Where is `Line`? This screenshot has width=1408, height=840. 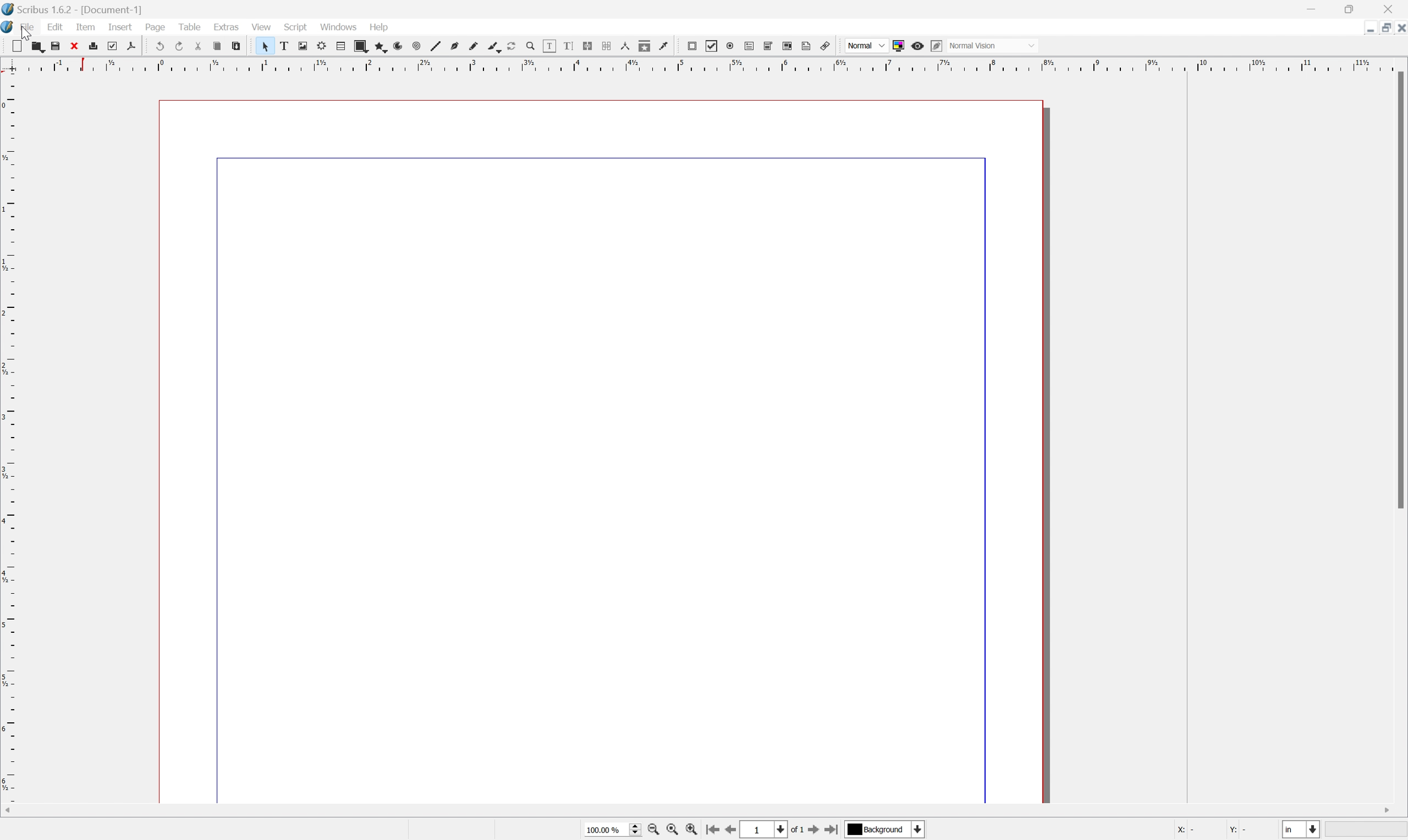
Line is located at coordinates (433, 46).